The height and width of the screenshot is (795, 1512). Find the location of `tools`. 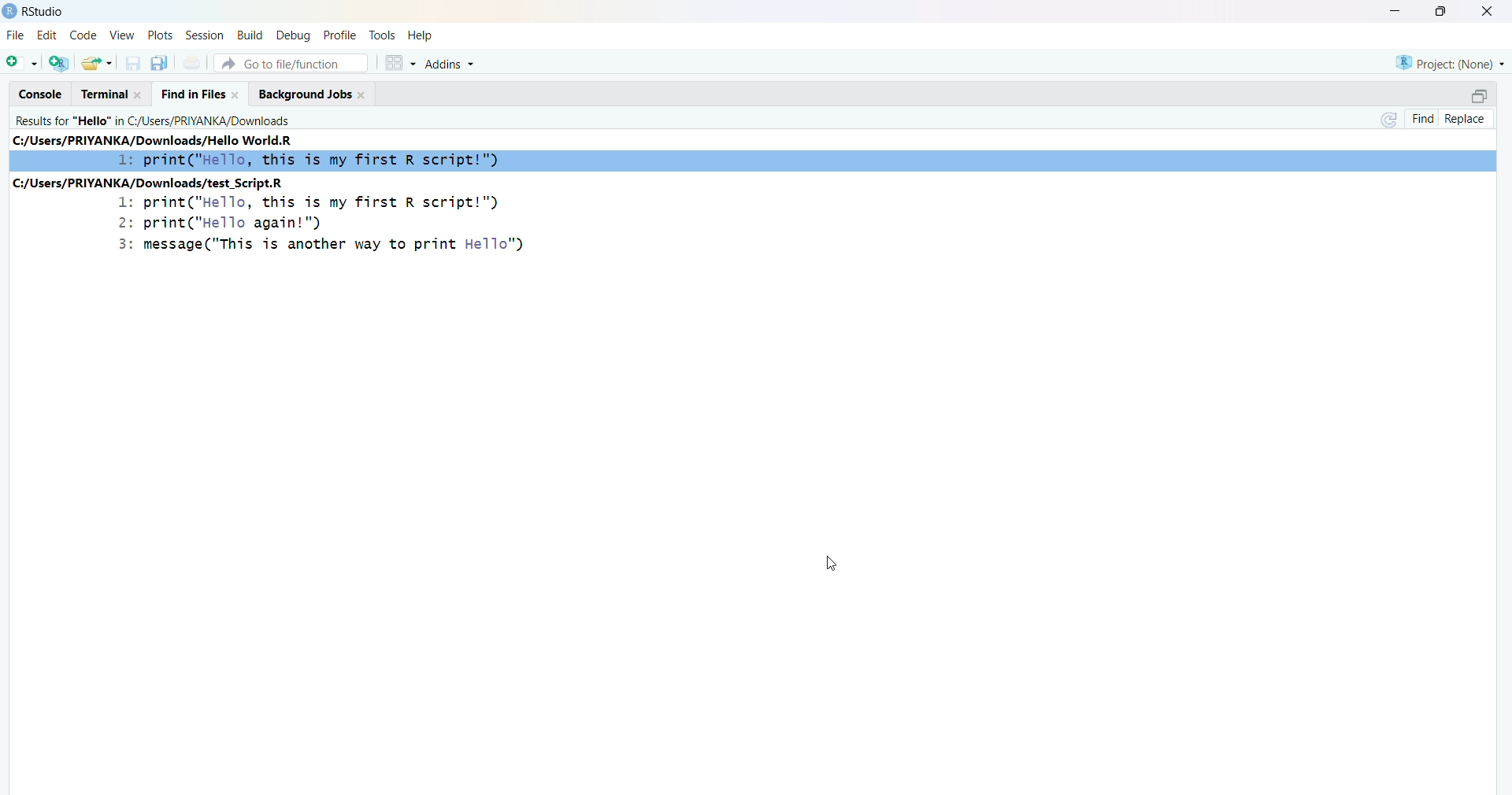

tools is located at coordinates (383, 35).